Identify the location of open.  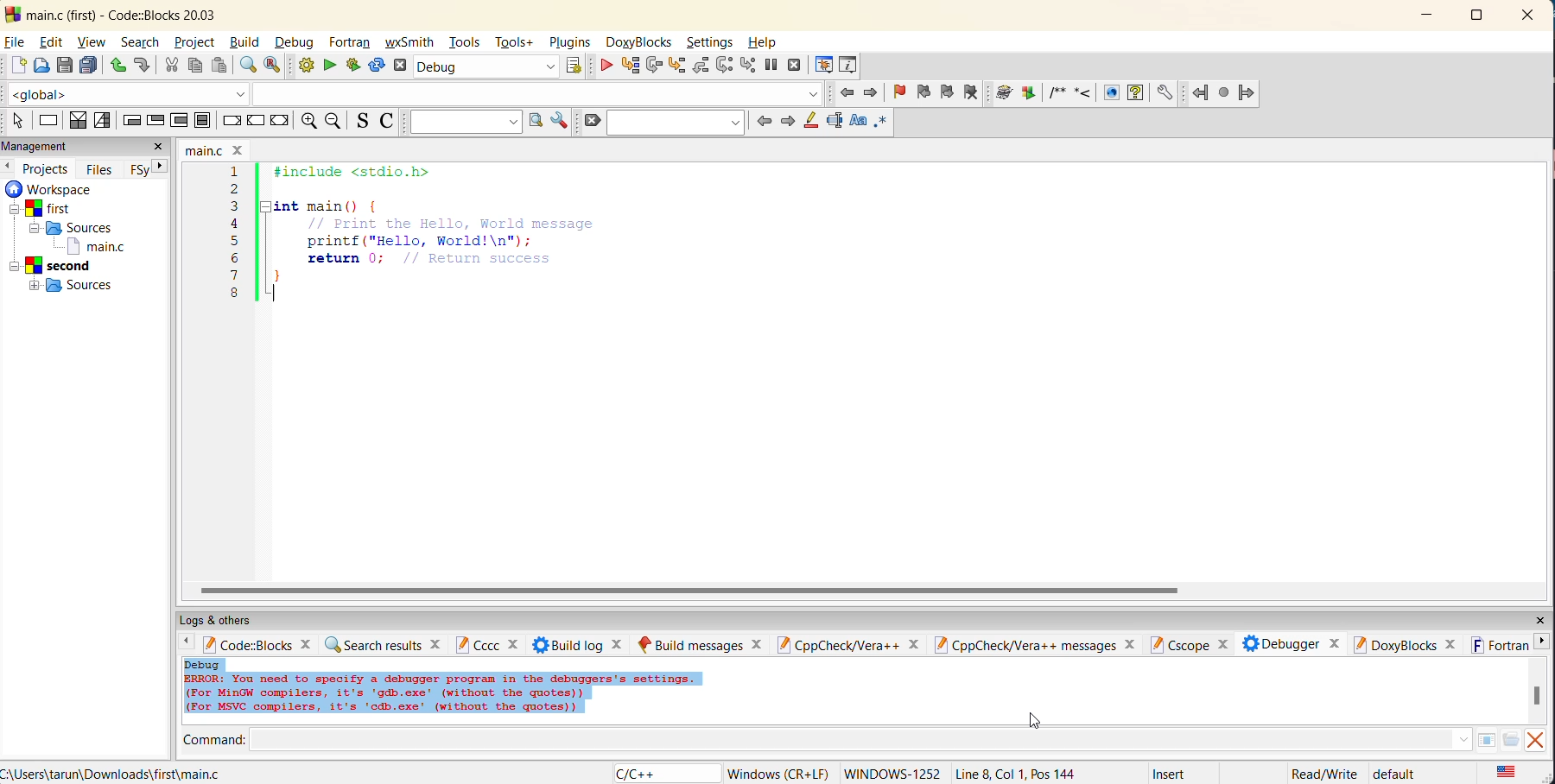
(41, 66).